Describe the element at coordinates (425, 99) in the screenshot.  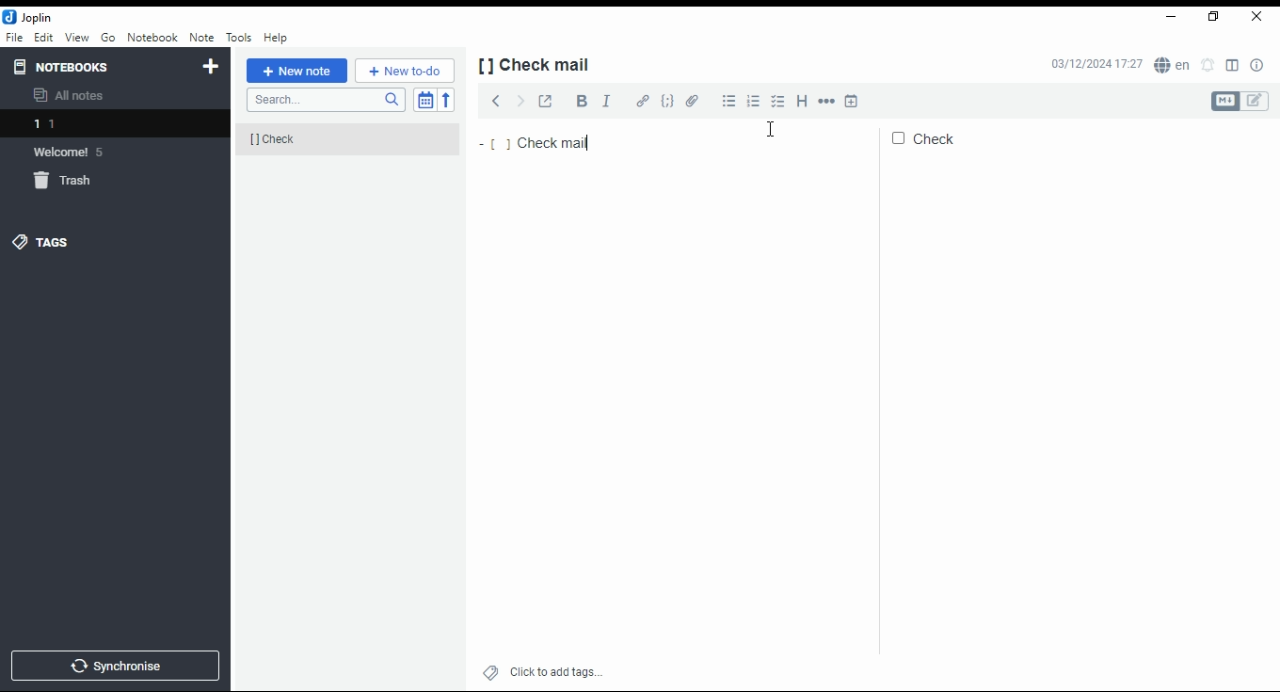
I see `toggle sort order field` at that location.